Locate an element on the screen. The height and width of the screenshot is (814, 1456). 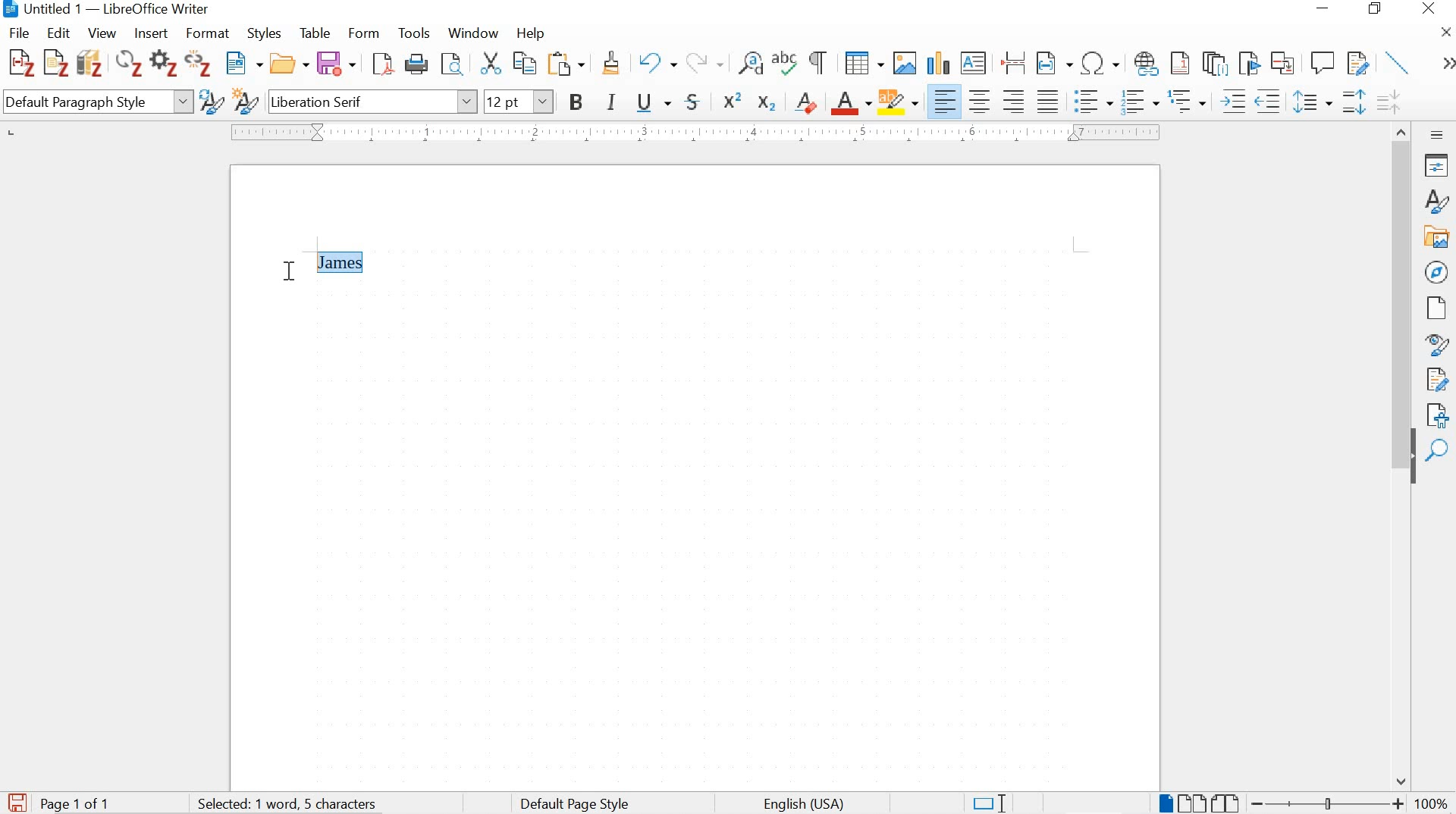
superscript is located at coordinates (734, 100).